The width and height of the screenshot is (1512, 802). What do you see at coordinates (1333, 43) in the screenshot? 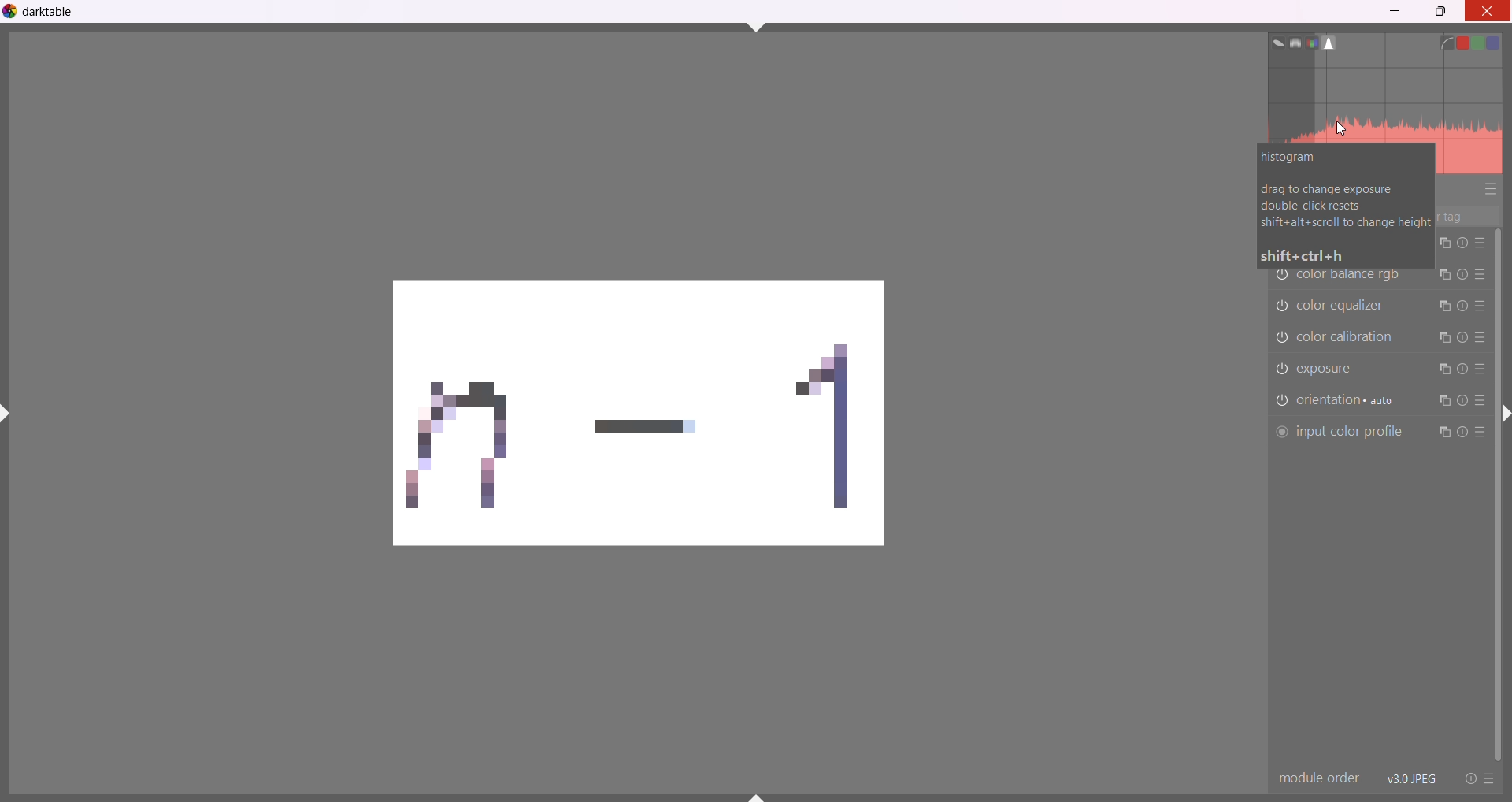
I see `histogram` at bounding box center [1333, 43].